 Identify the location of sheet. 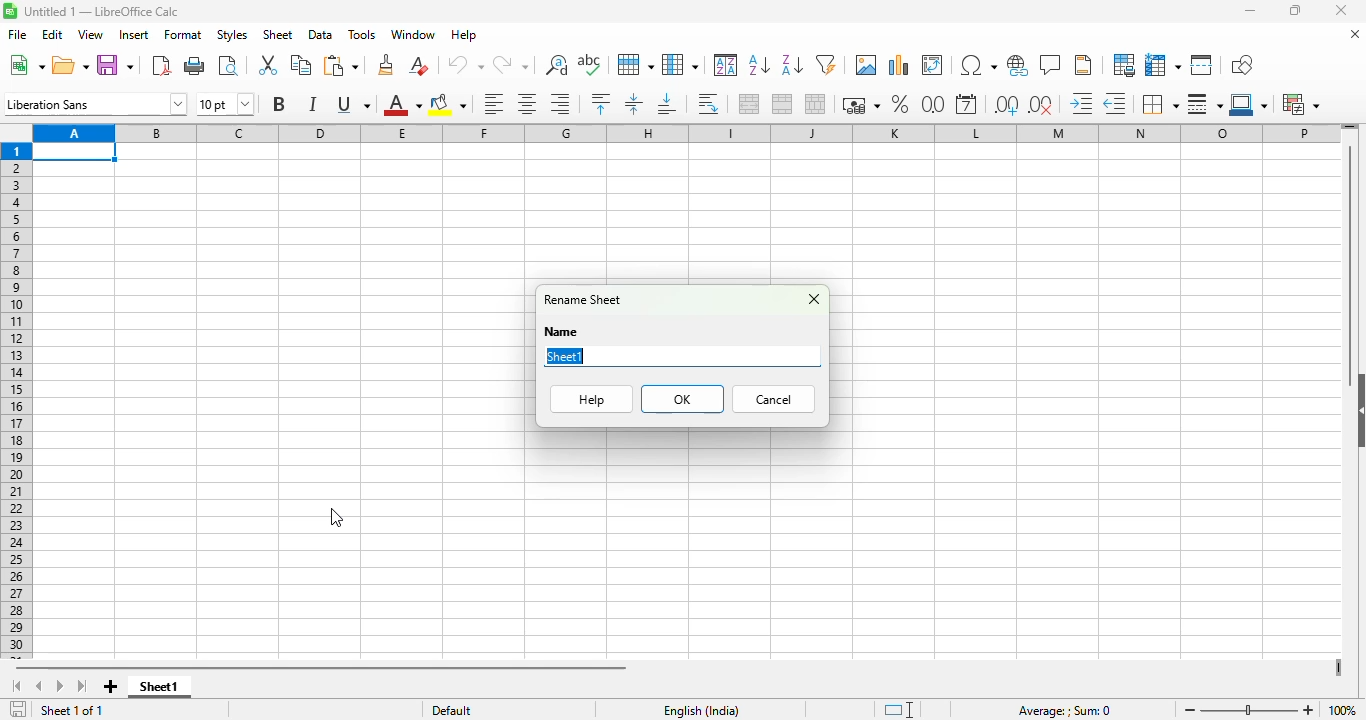
(277, 34).